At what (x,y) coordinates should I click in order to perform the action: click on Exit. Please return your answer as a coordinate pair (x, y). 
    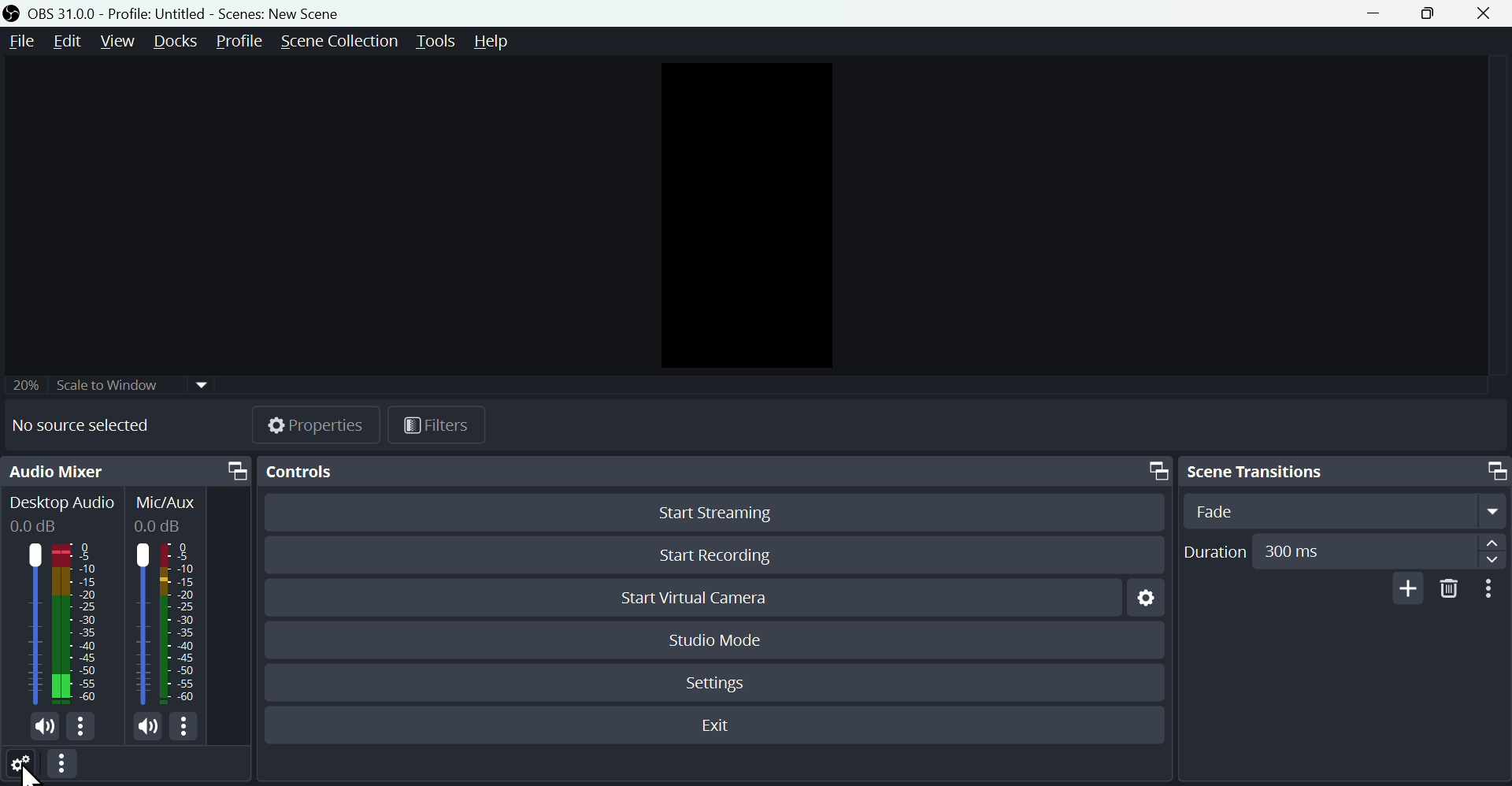
    Looking at the image, I should click on (721, 728).